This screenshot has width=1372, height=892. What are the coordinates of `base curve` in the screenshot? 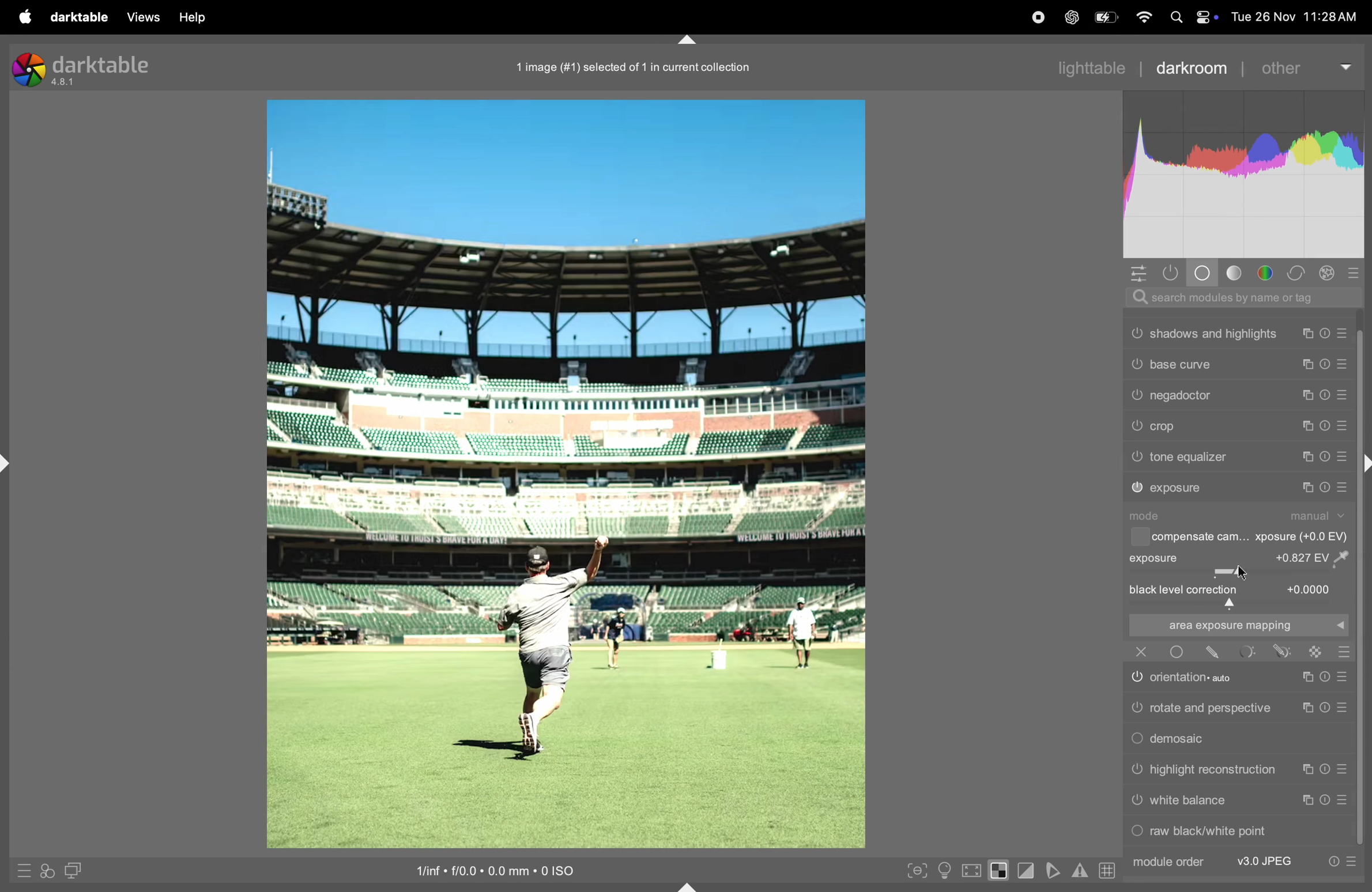 It's located at (1181, 364).